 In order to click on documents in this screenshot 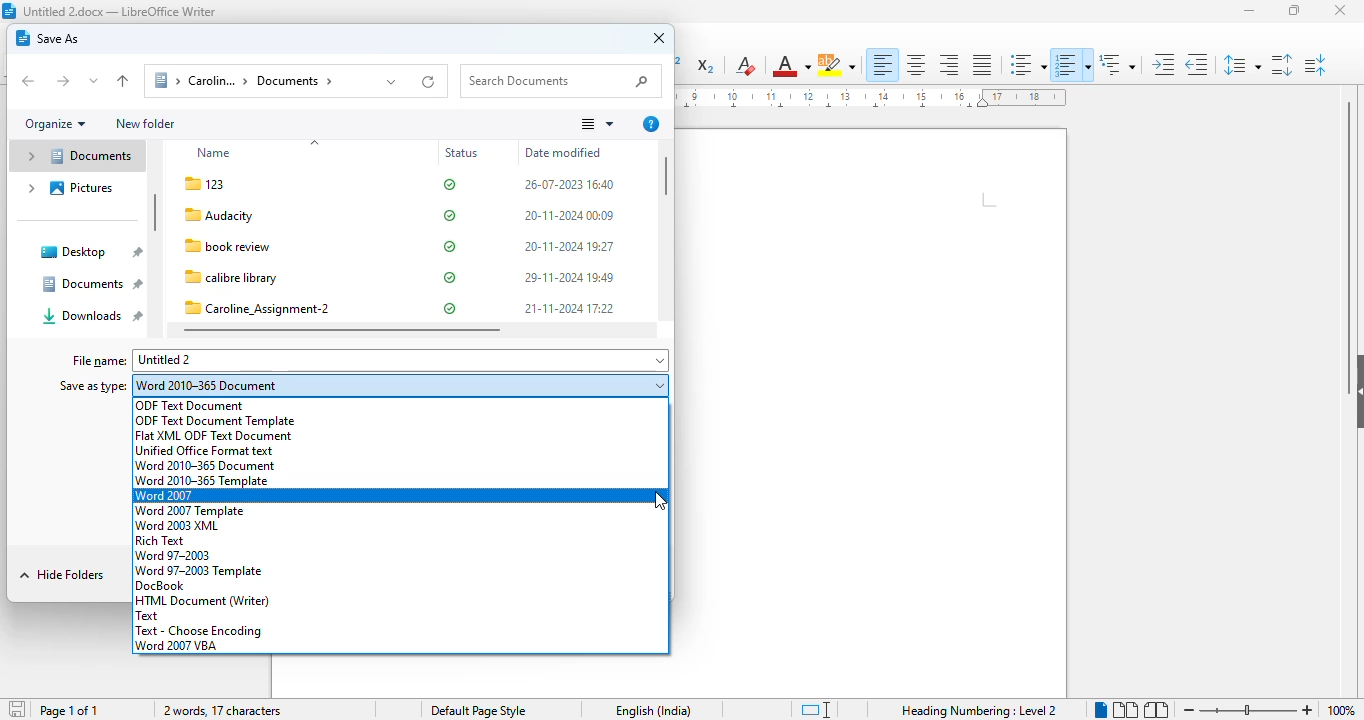, I will do `click(90, 283)`.